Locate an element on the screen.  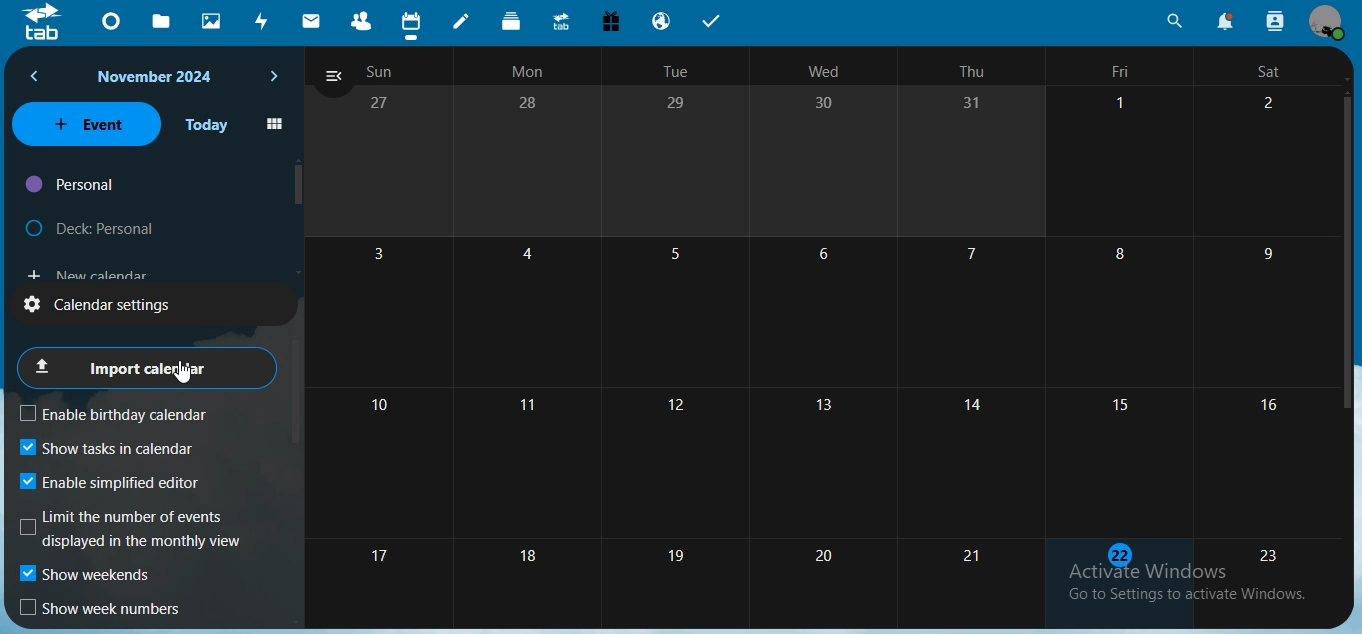
personal is located at coordinates (72, 185).